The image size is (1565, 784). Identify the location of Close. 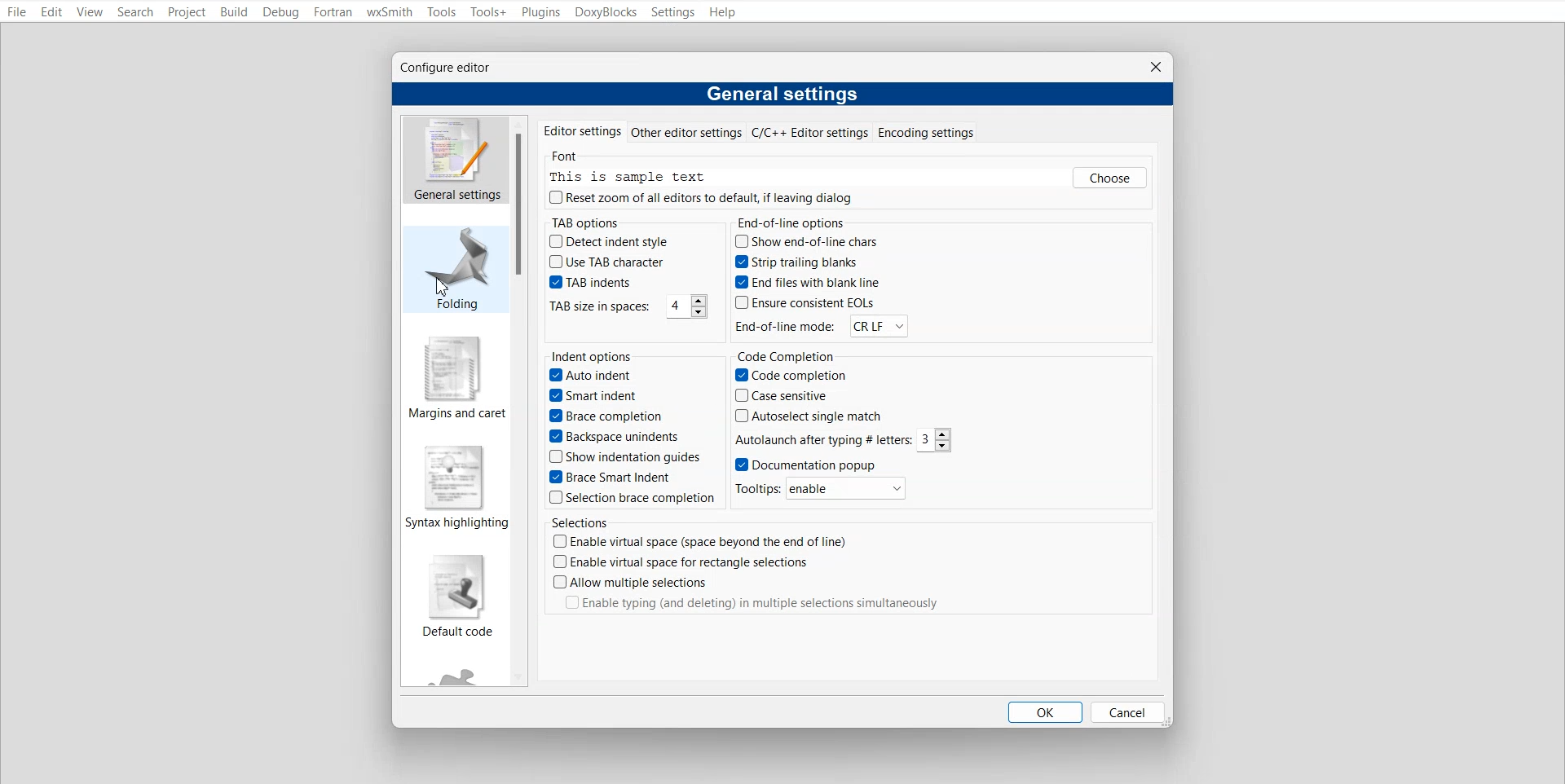
(1154, 67).